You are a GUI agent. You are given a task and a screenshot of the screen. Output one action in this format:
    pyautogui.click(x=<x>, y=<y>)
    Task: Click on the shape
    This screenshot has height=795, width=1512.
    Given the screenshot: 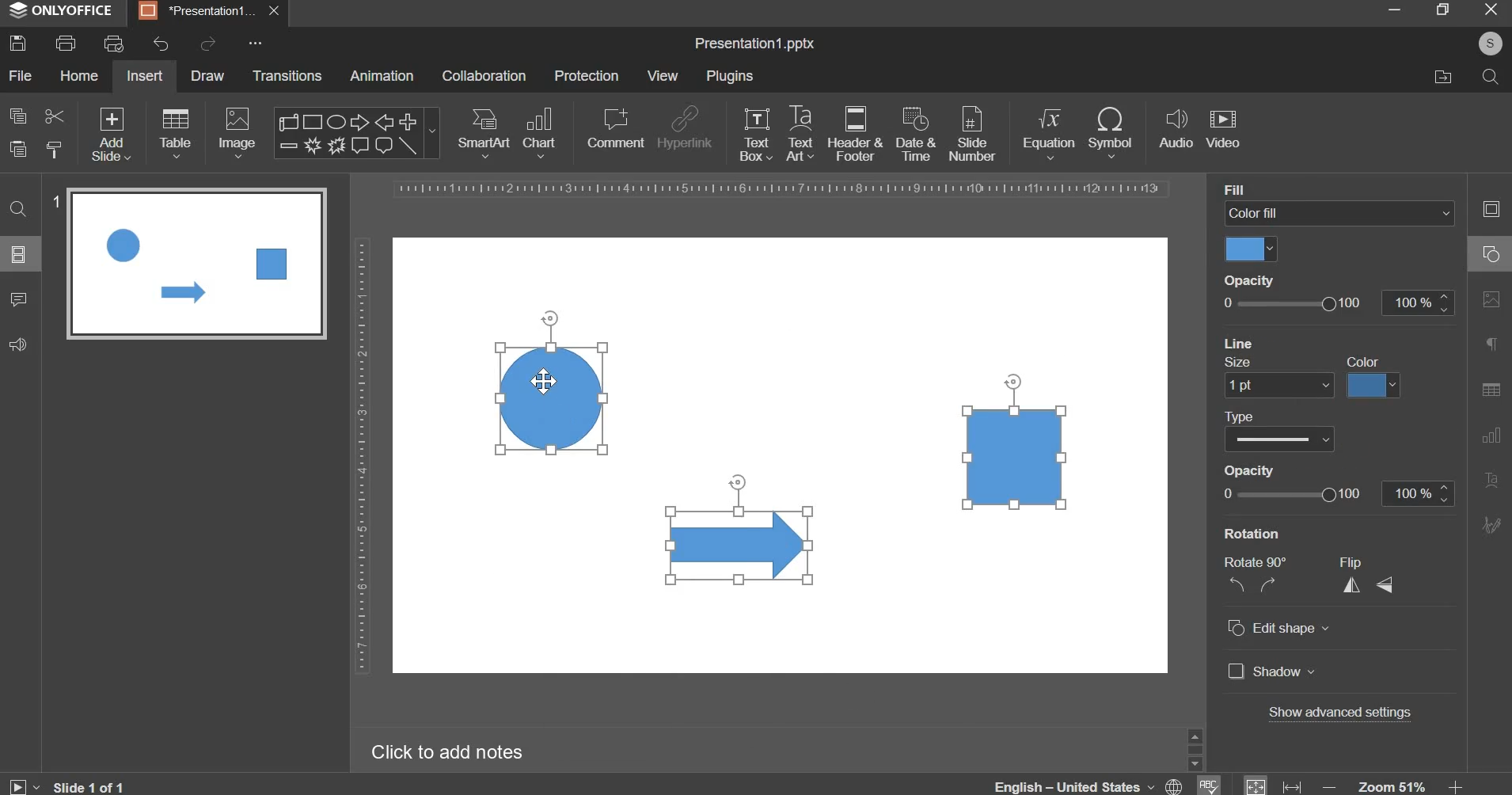 What is the action you would take?
    pyautogui.click(x=355, y=133)
    